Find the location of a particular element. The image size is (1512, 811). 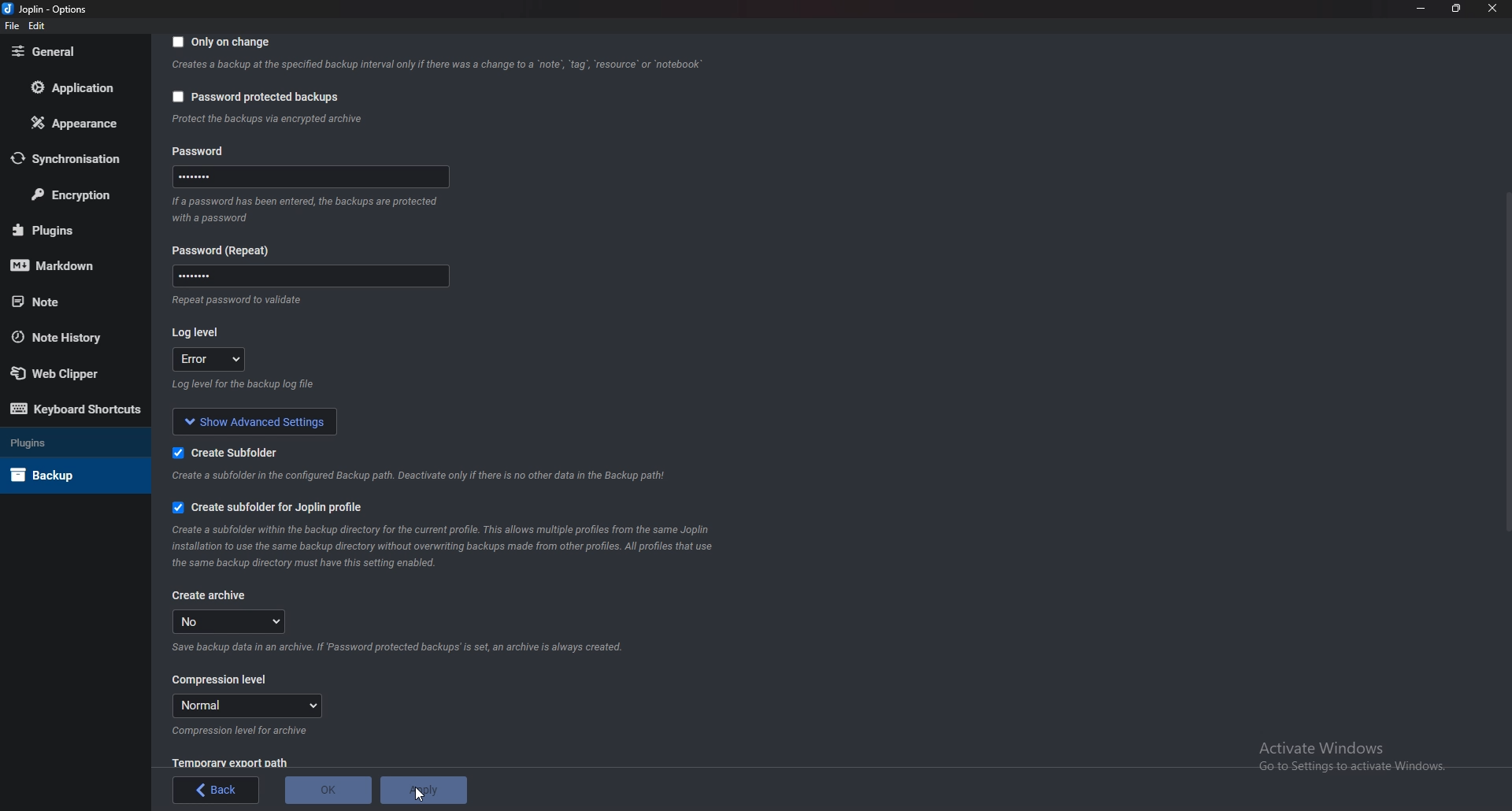

general is located at coordinates (68, 52).